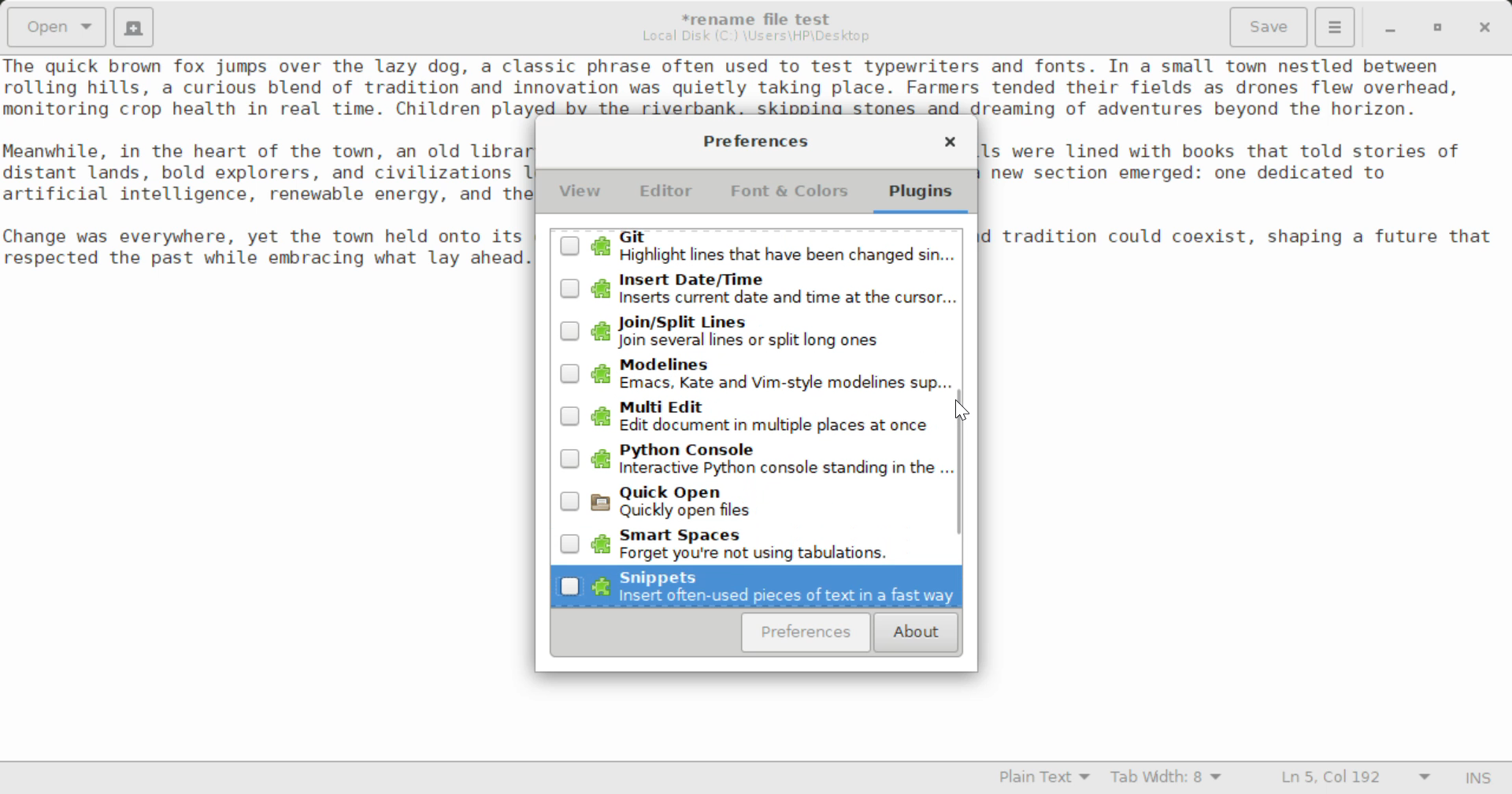  Describe the element at coordinates (1438, 28) in the screenshot. I see `Minimize` at that location.